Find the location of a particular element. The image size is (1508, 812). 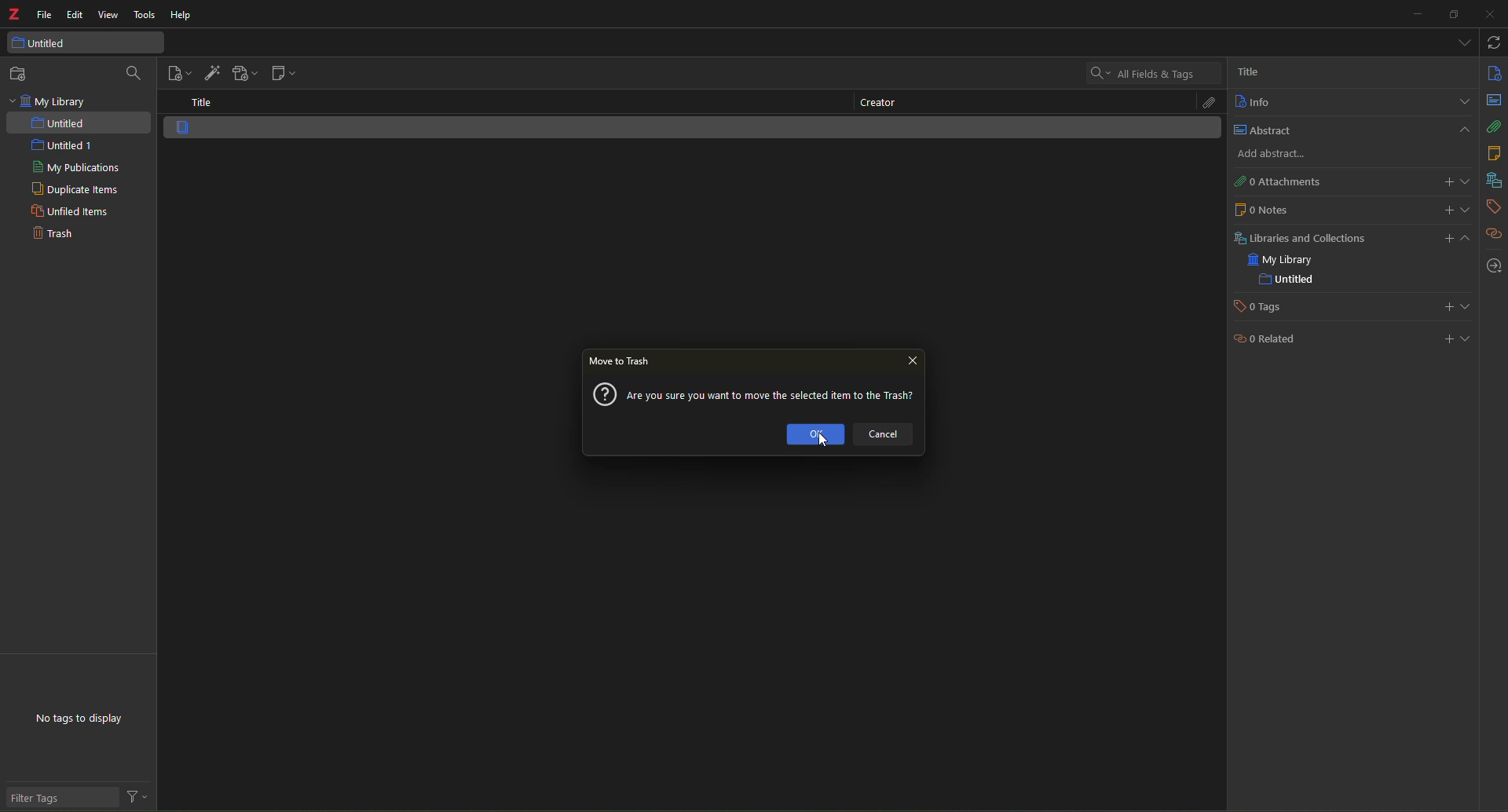

notes is located at coordinates (1492, 153).